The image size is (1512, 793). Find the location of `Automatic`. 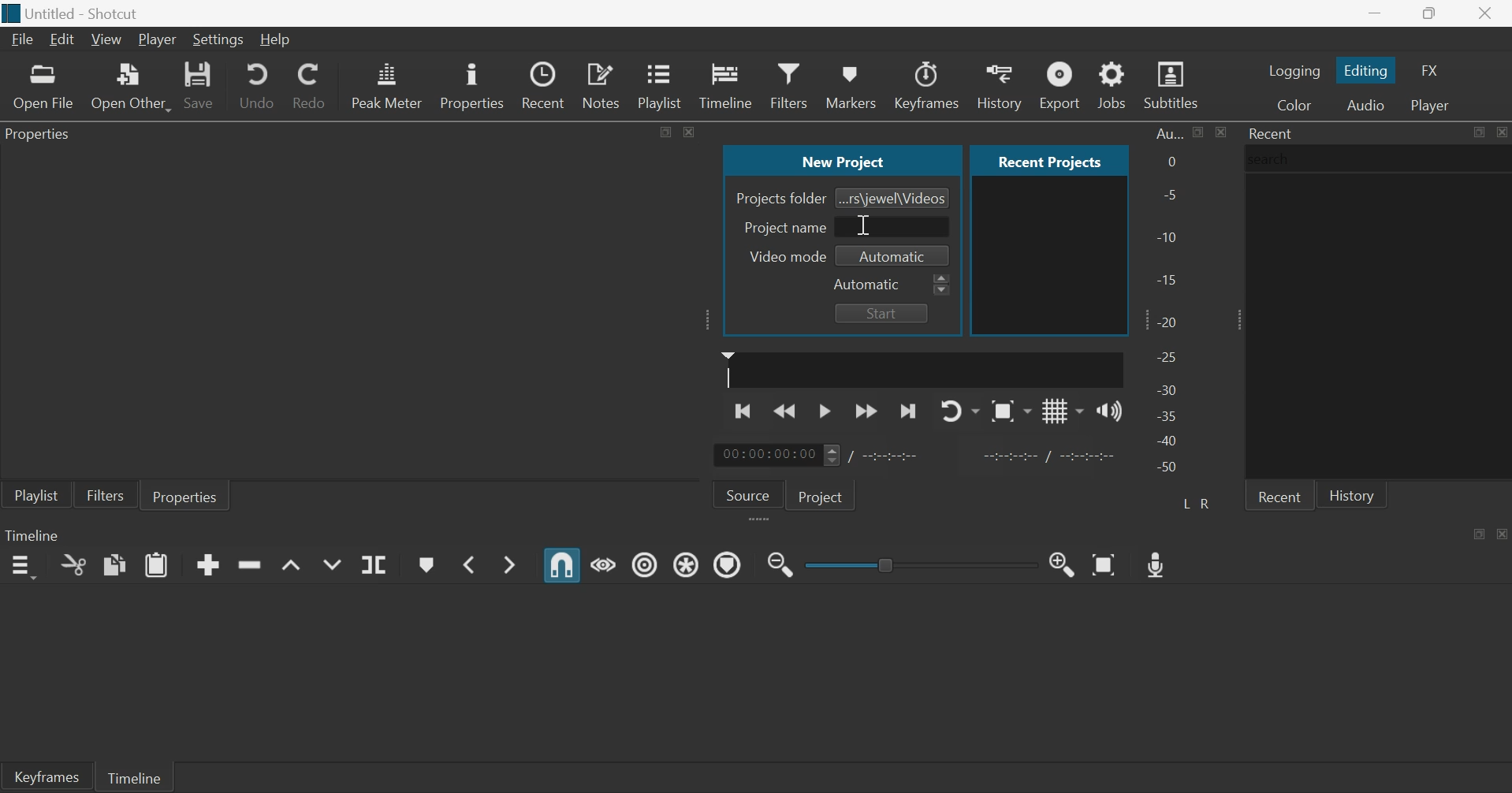

Automatic is located at coordinates (894, 257).